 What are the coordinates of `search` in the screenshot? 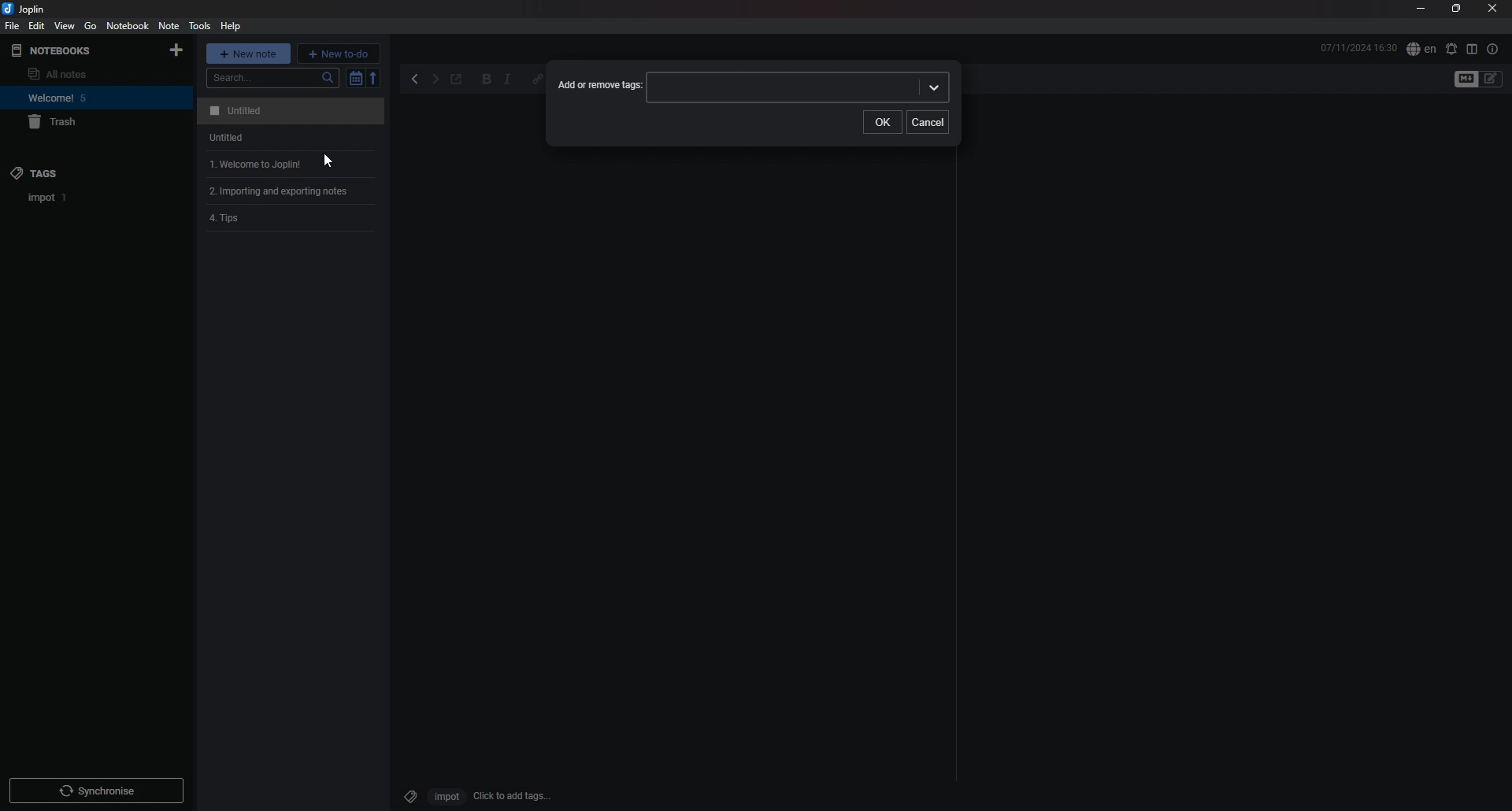 It's located at (273, 78).